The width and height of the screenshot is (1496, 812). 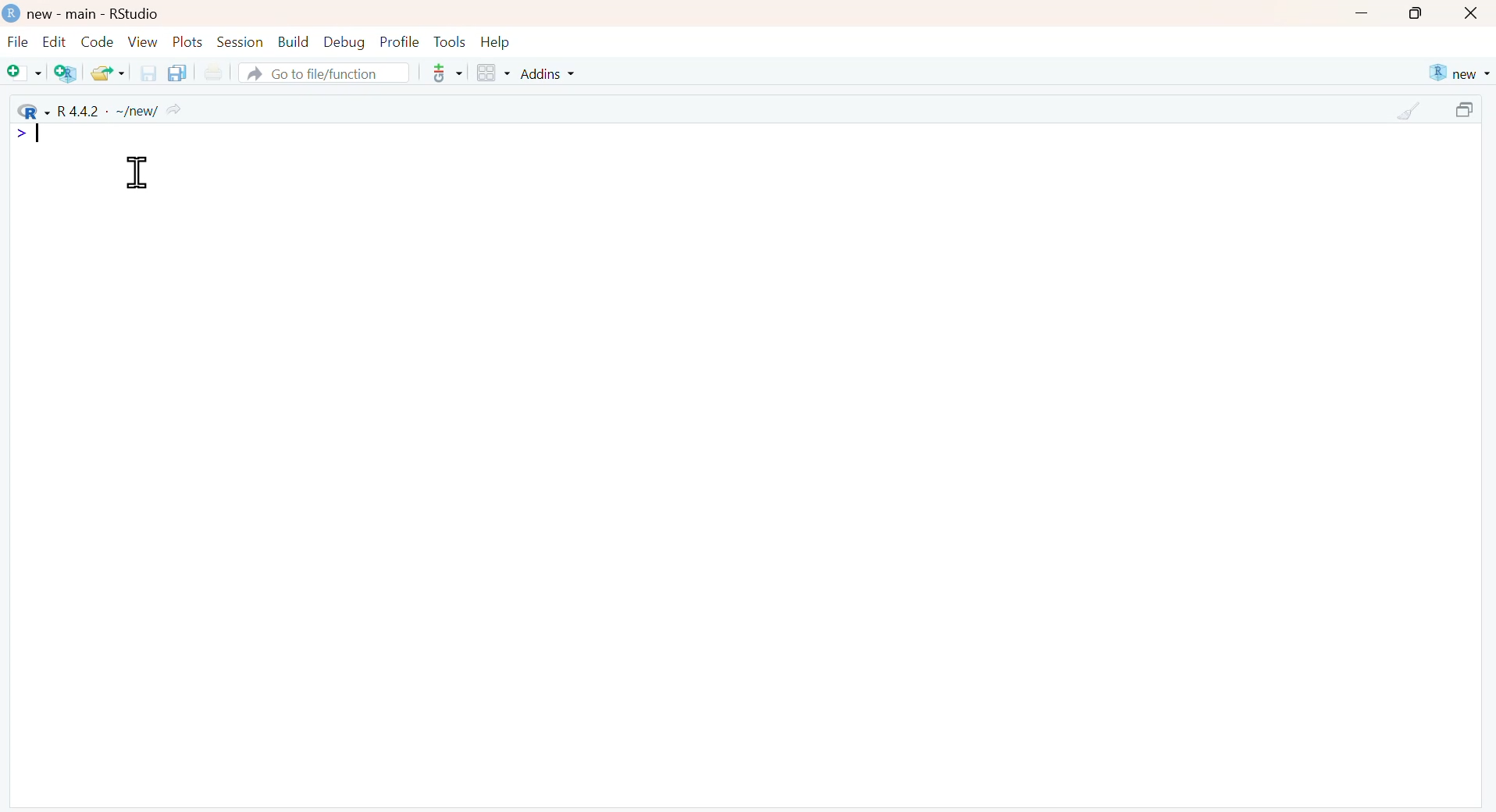 I want to click on Tools, so click(x=450, y=41).